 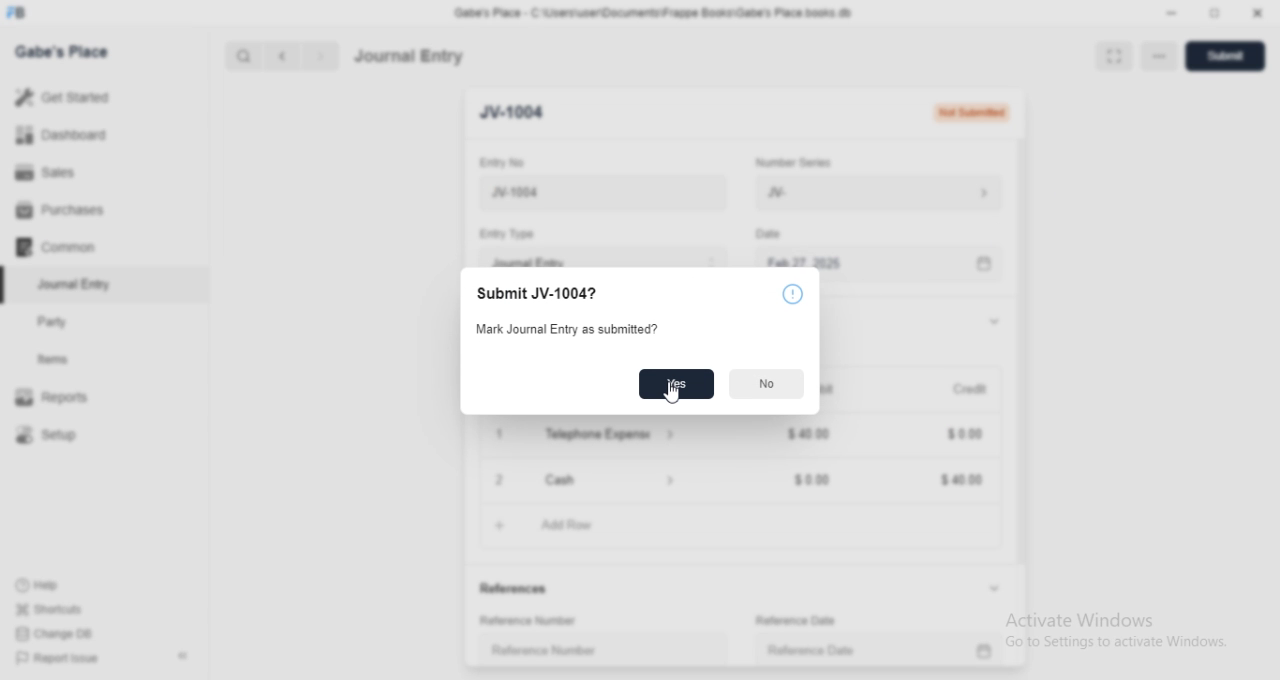 I want to click on Yes, so click(x=677, y=384).